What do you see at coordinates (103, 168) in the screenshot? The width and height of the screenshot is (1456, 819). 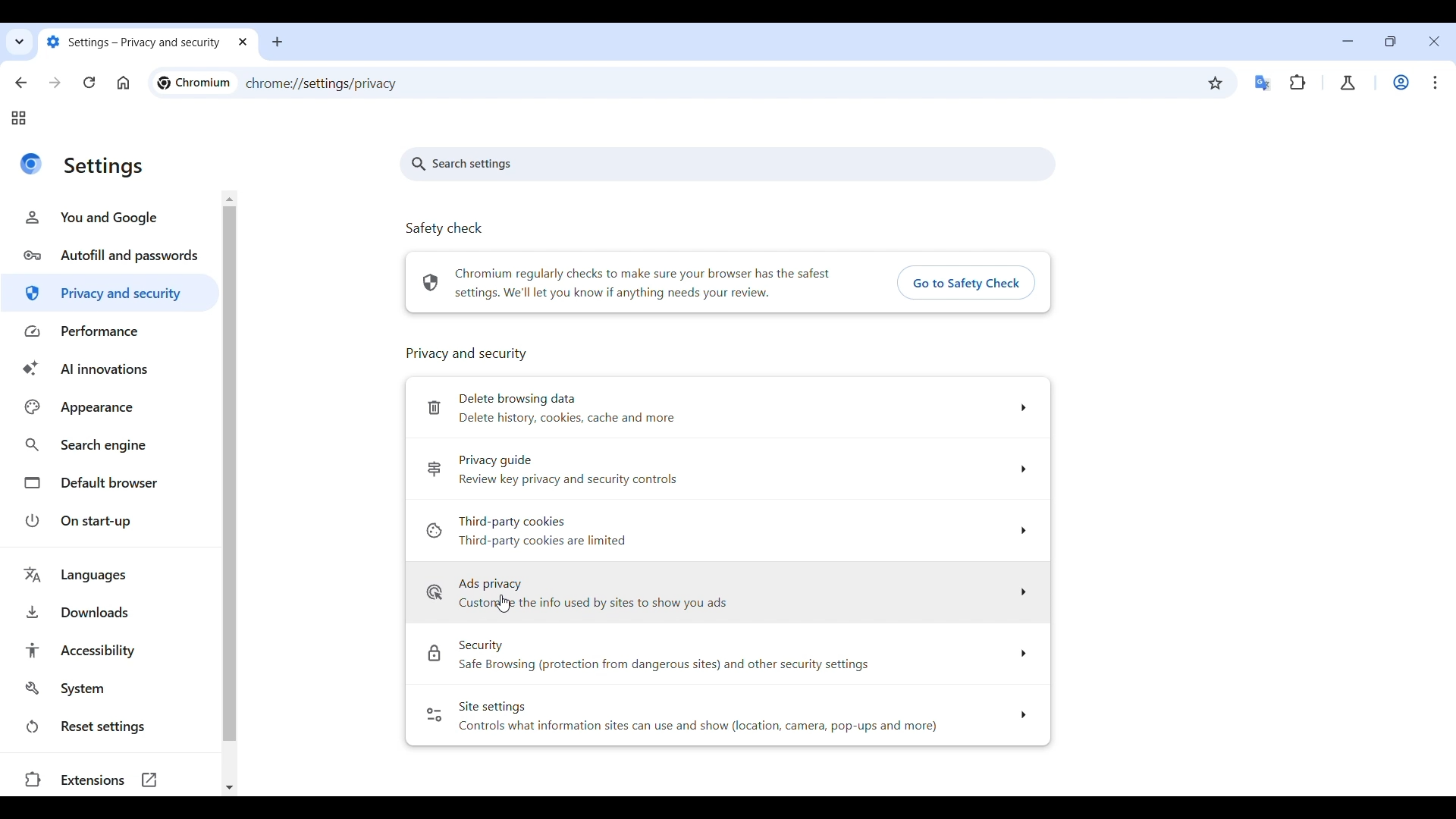 I see `Title of current page` at bounding box center [103, 168].